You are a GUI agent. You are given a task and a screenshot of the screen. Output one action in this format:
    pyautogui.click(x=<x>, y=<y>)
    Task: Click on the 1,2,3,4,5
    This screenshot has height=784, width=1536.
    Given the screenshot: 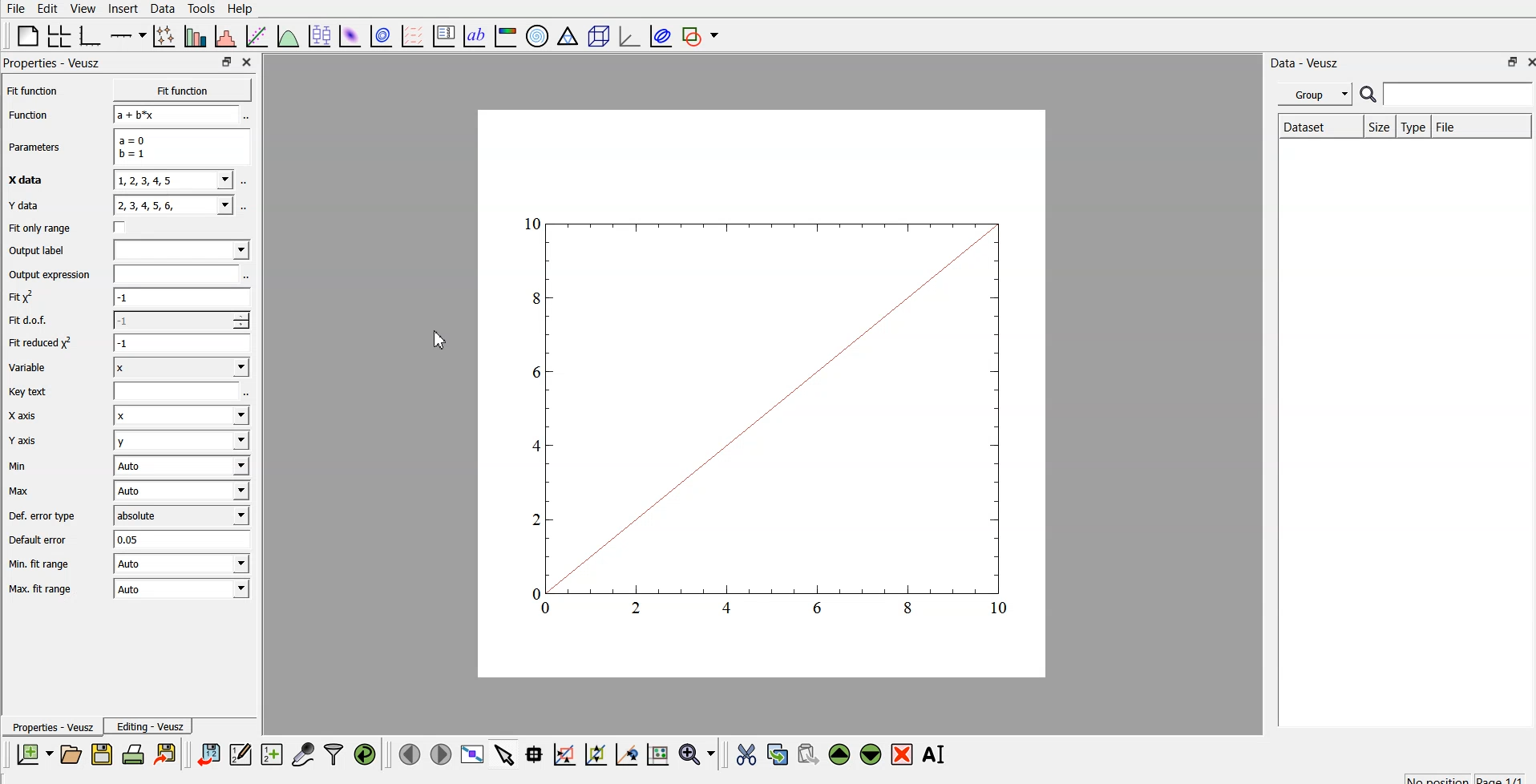 What is the action you would take?
    pyautogui.click(x=175, y=180)
    